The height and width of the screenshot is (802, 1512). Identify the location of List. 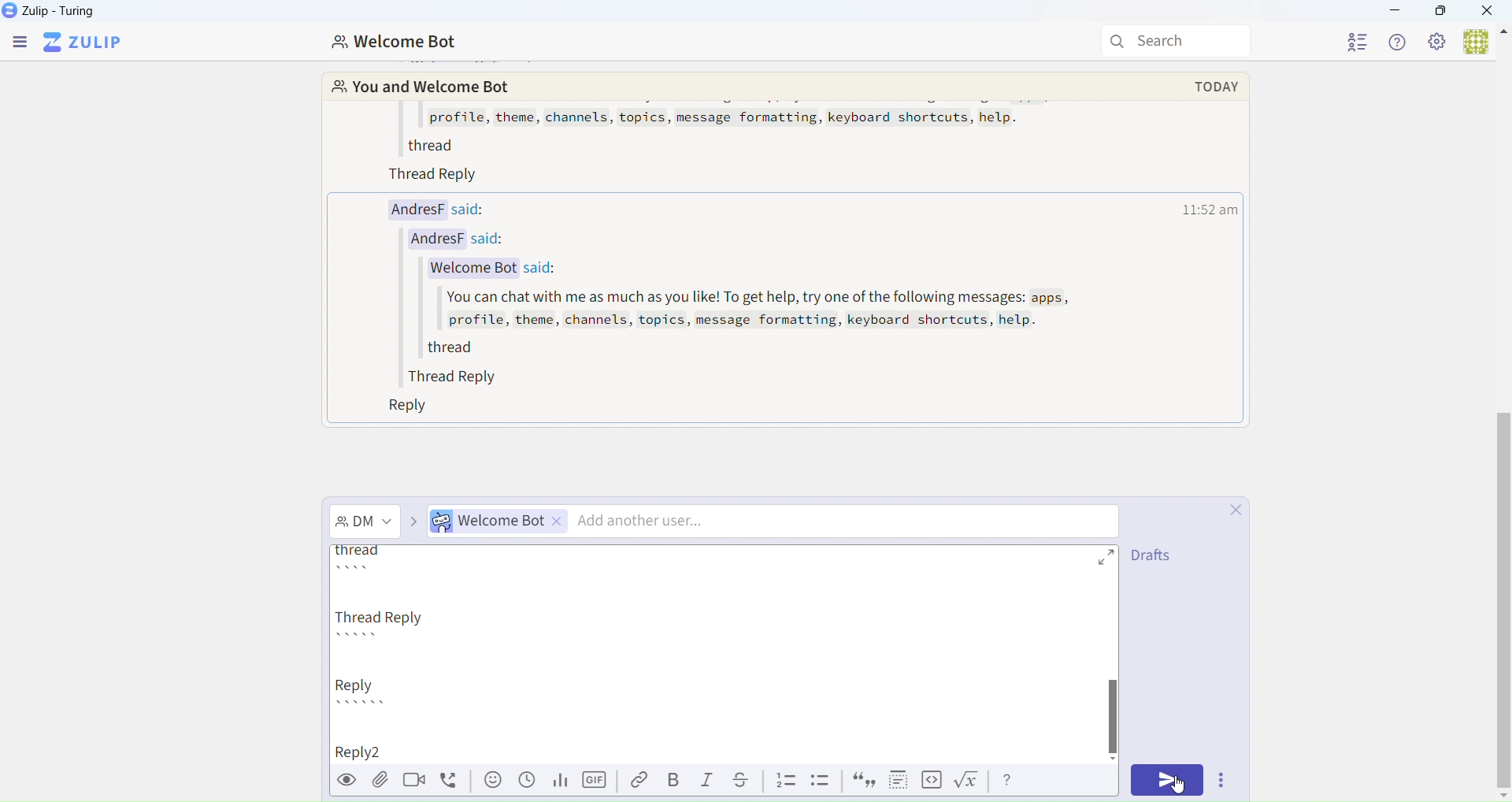
(821, 782).